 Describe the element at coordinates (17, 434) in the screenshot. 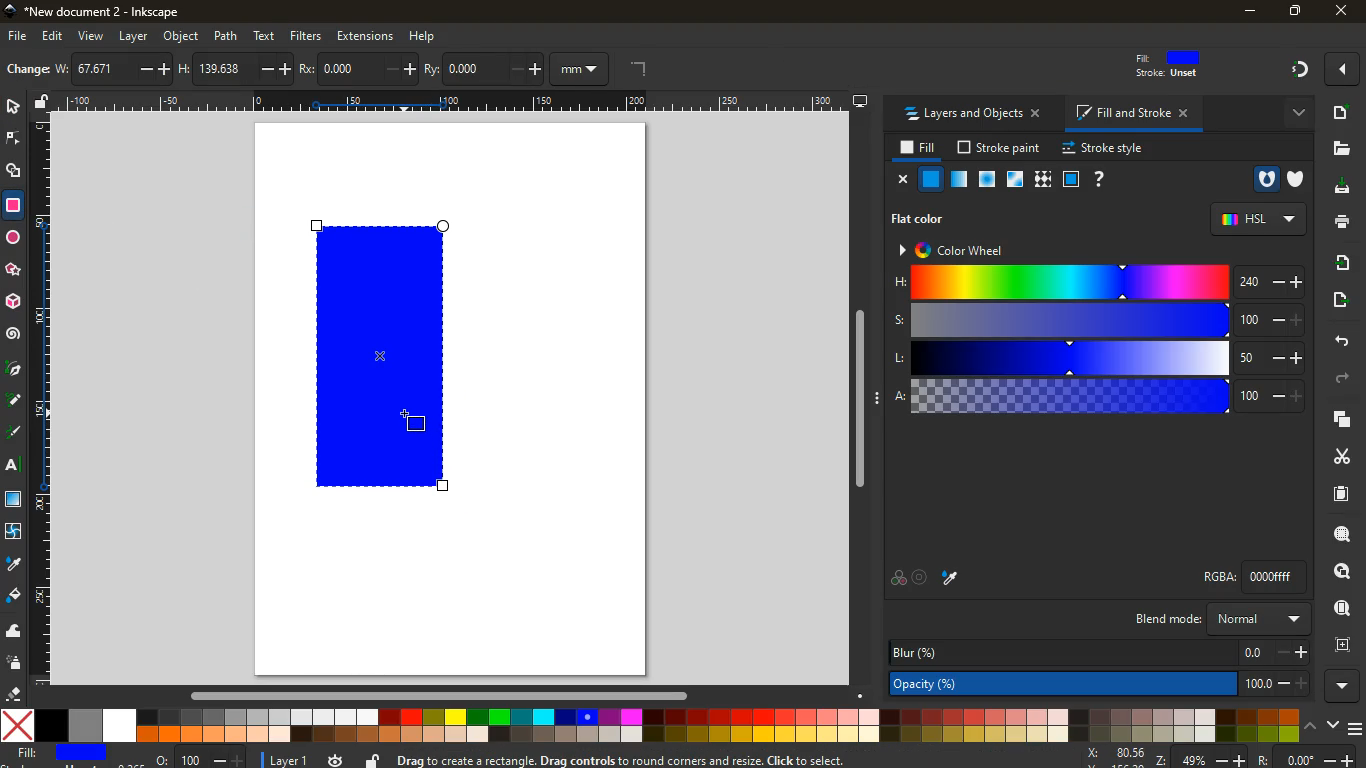

I see `highlight` at that location.